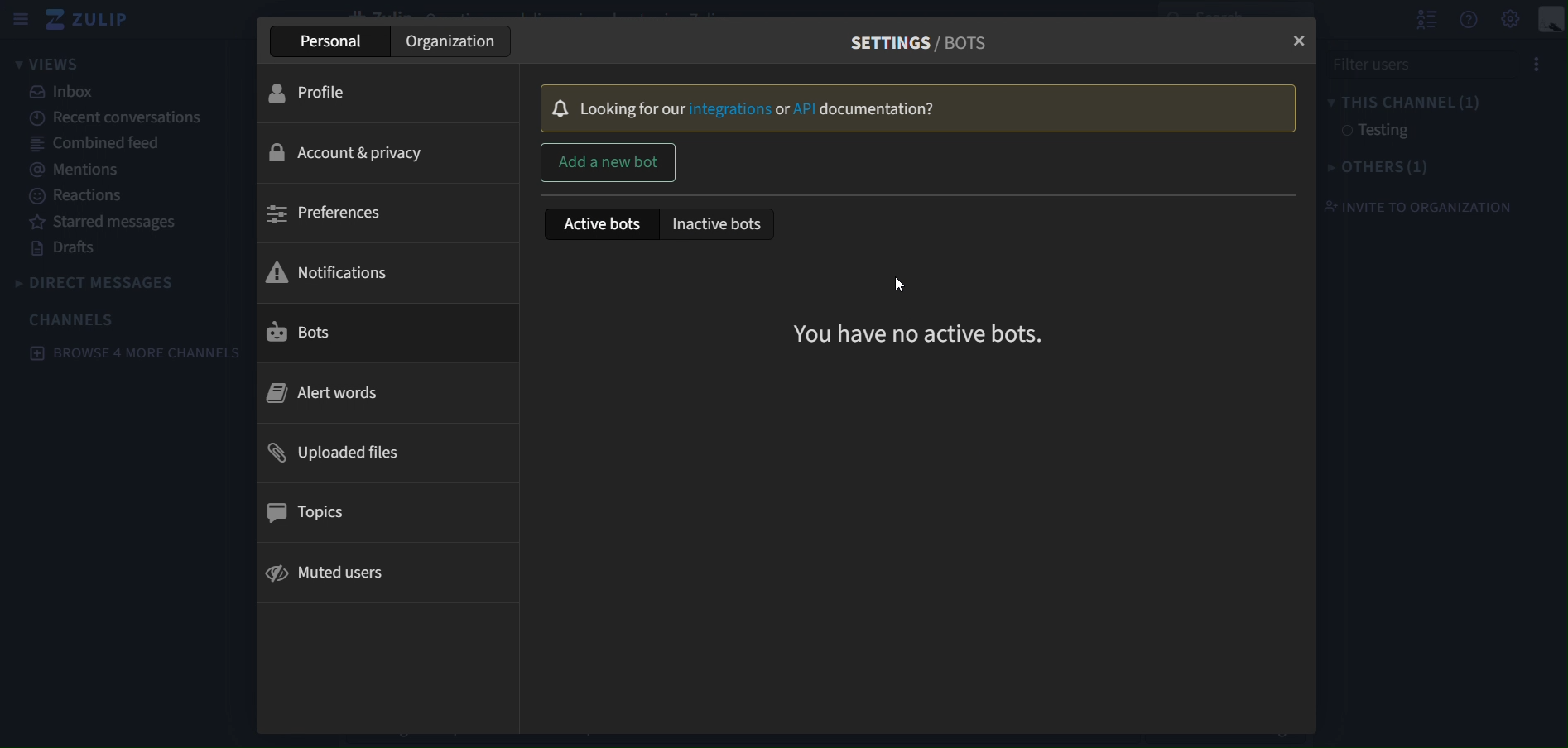 The width and height of the screenshot is (1568, 748). I want to click on reactions, so click(79, 196).